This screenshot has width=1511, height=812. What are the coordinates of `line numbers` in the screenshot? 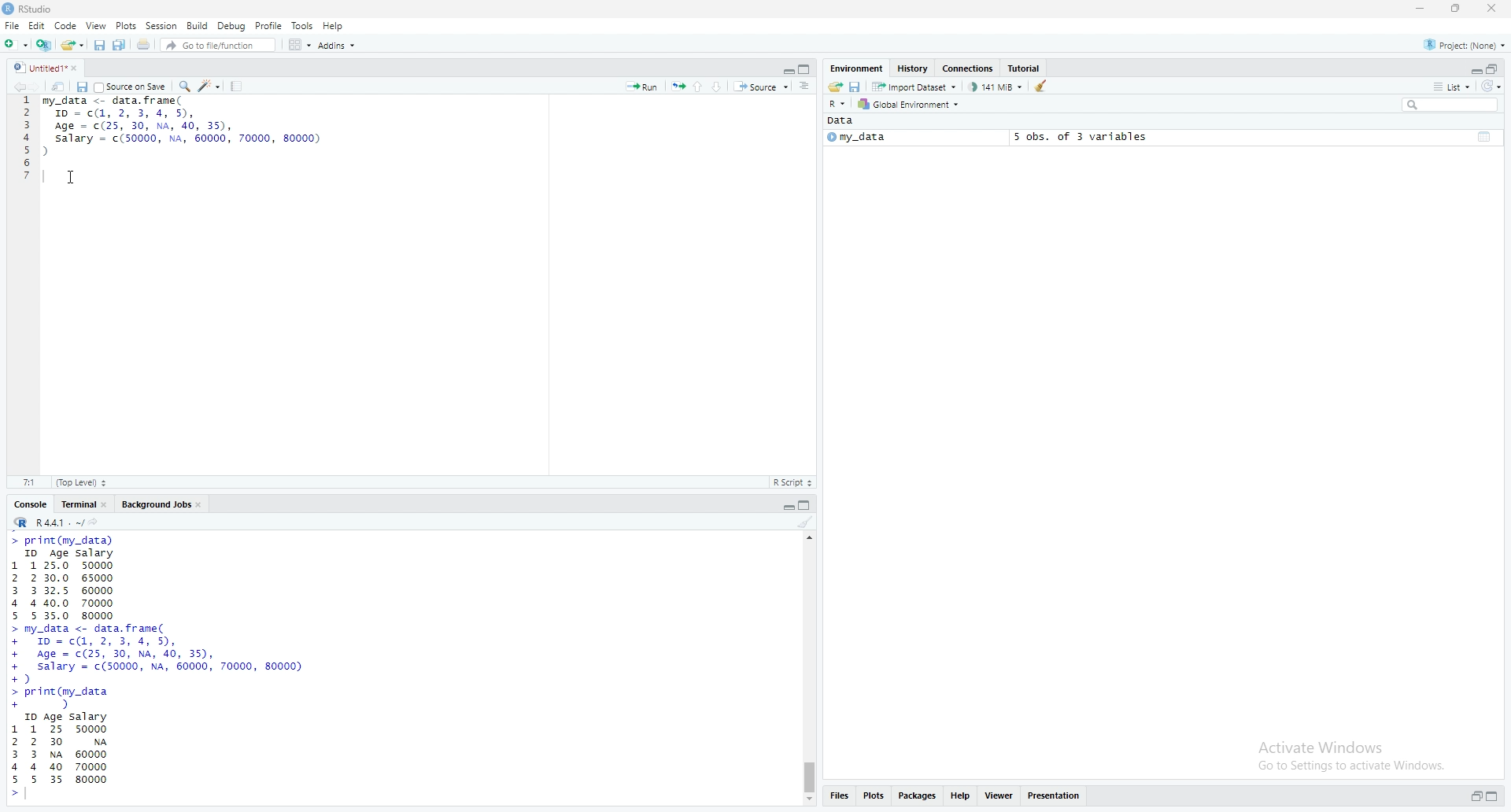 It's located at (26, 138).